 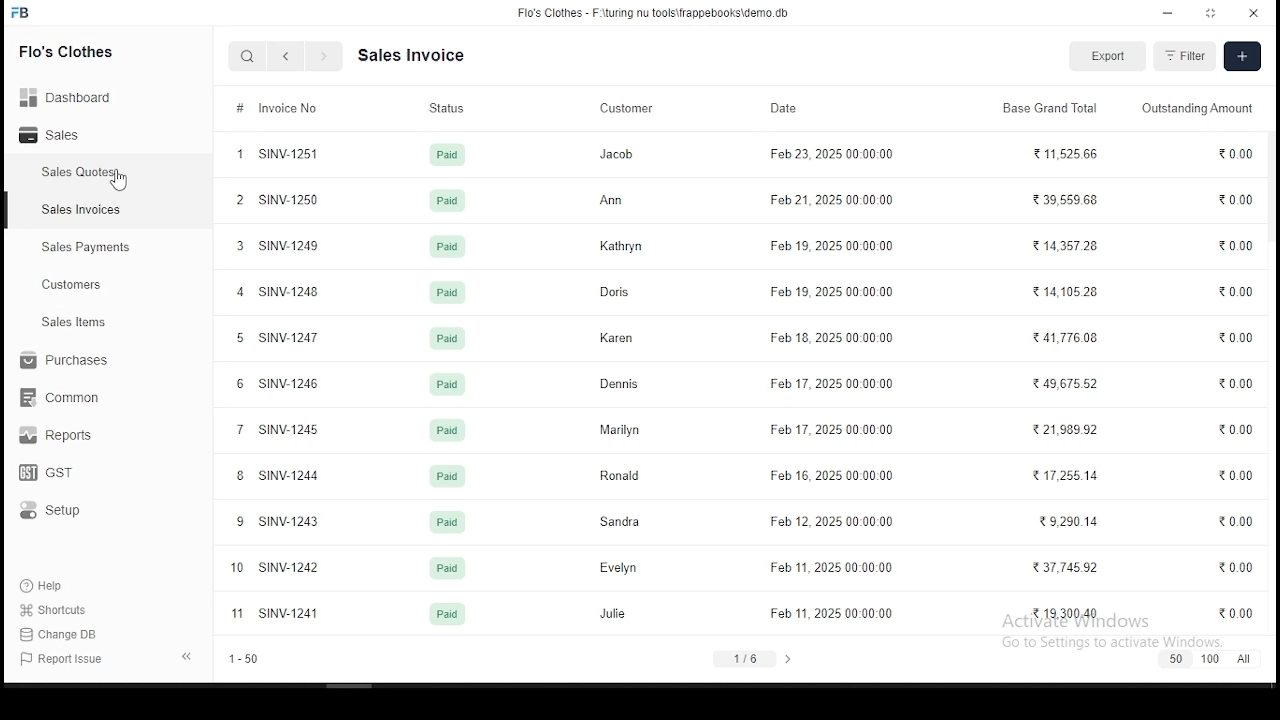 I want to click on filter, so click(x=1208, y=56).